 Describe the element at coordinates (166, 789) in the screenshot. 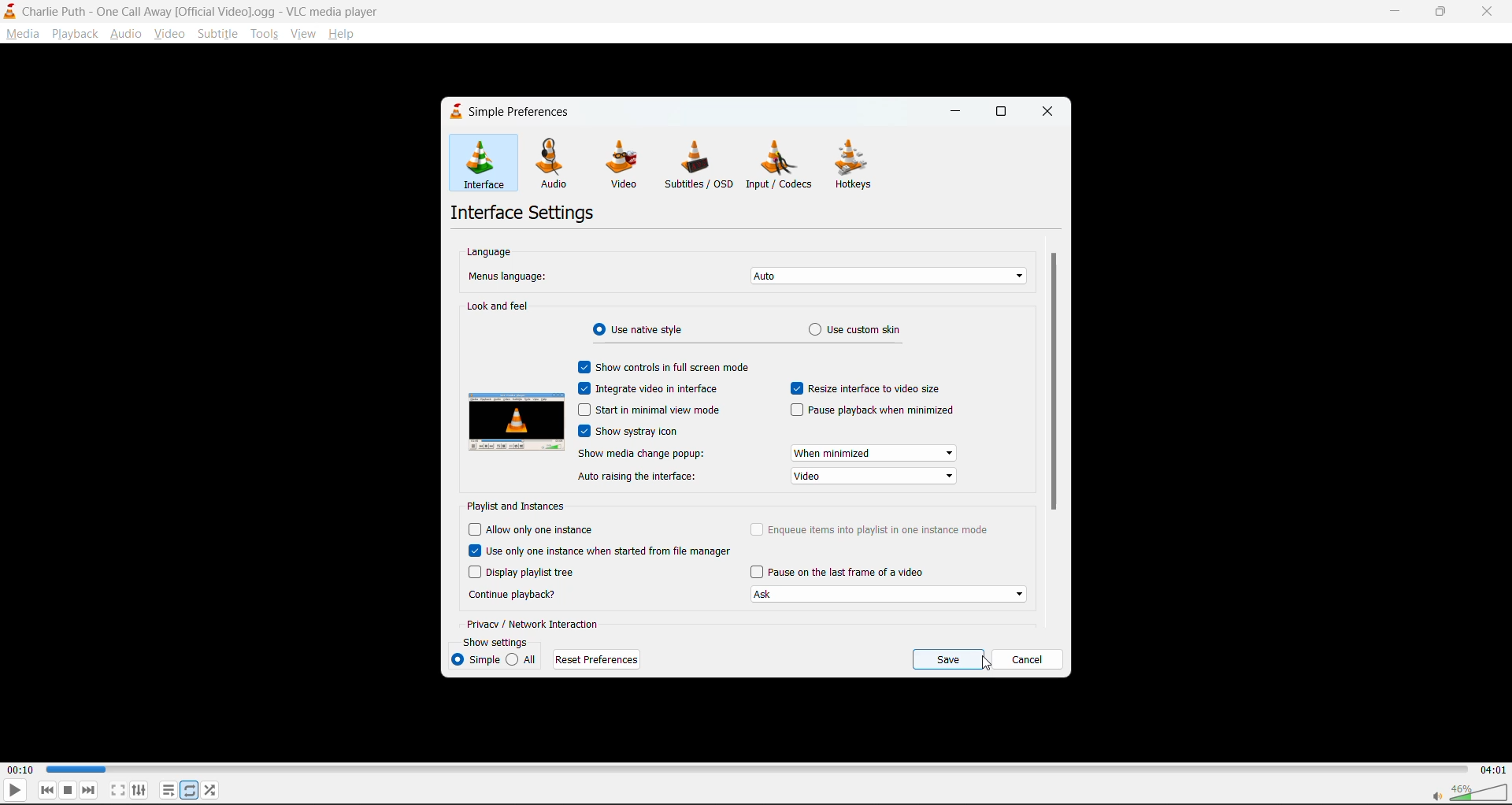

I see `playlist` at that location.